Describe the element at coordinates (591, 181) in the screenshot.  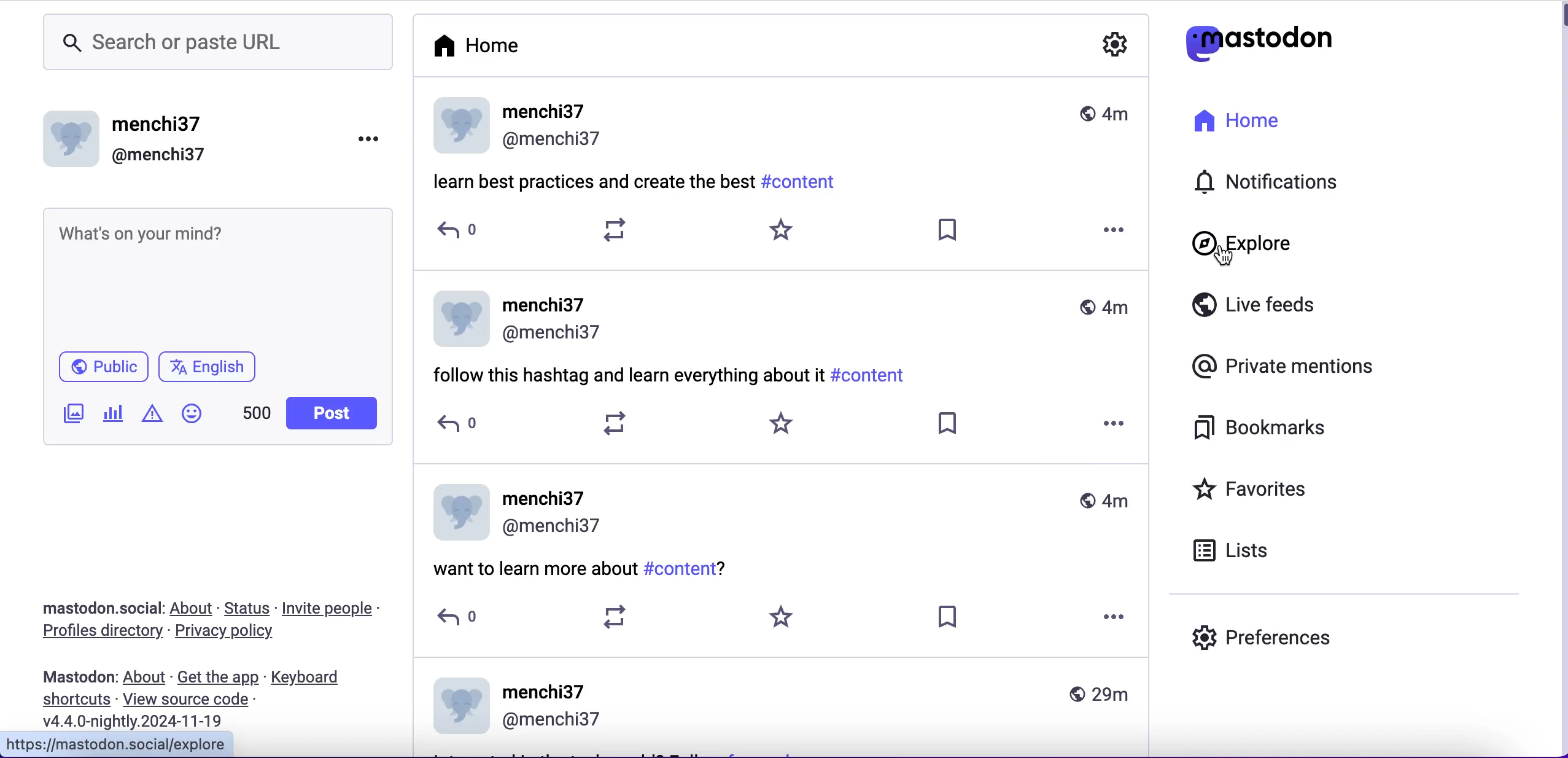
I see `sentence` at that location.